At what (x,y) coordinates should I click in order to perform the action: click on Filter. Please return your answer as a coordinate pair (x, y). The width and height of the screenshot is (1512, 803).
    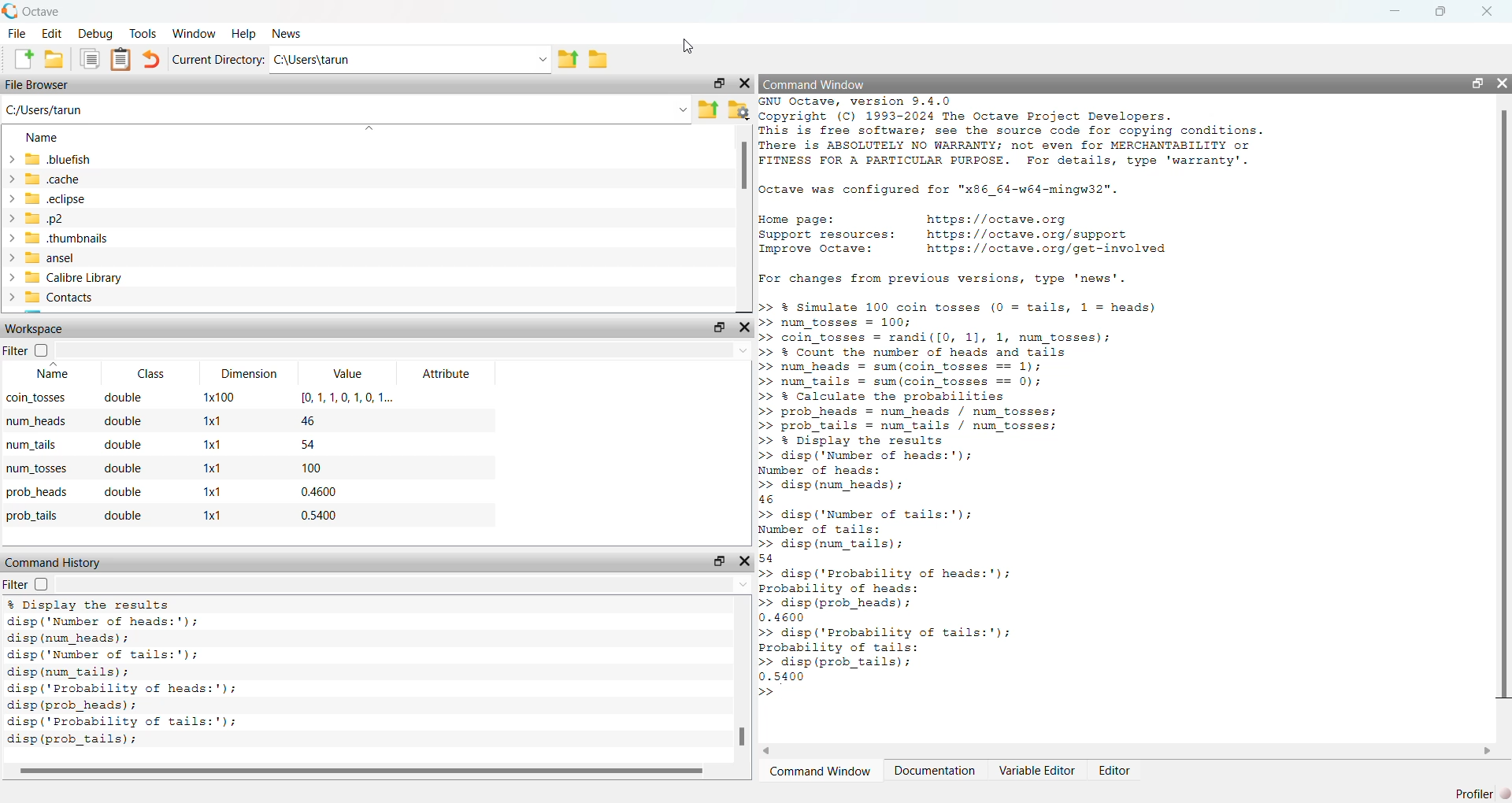
    Looking at the image, I should click on (25, 351).